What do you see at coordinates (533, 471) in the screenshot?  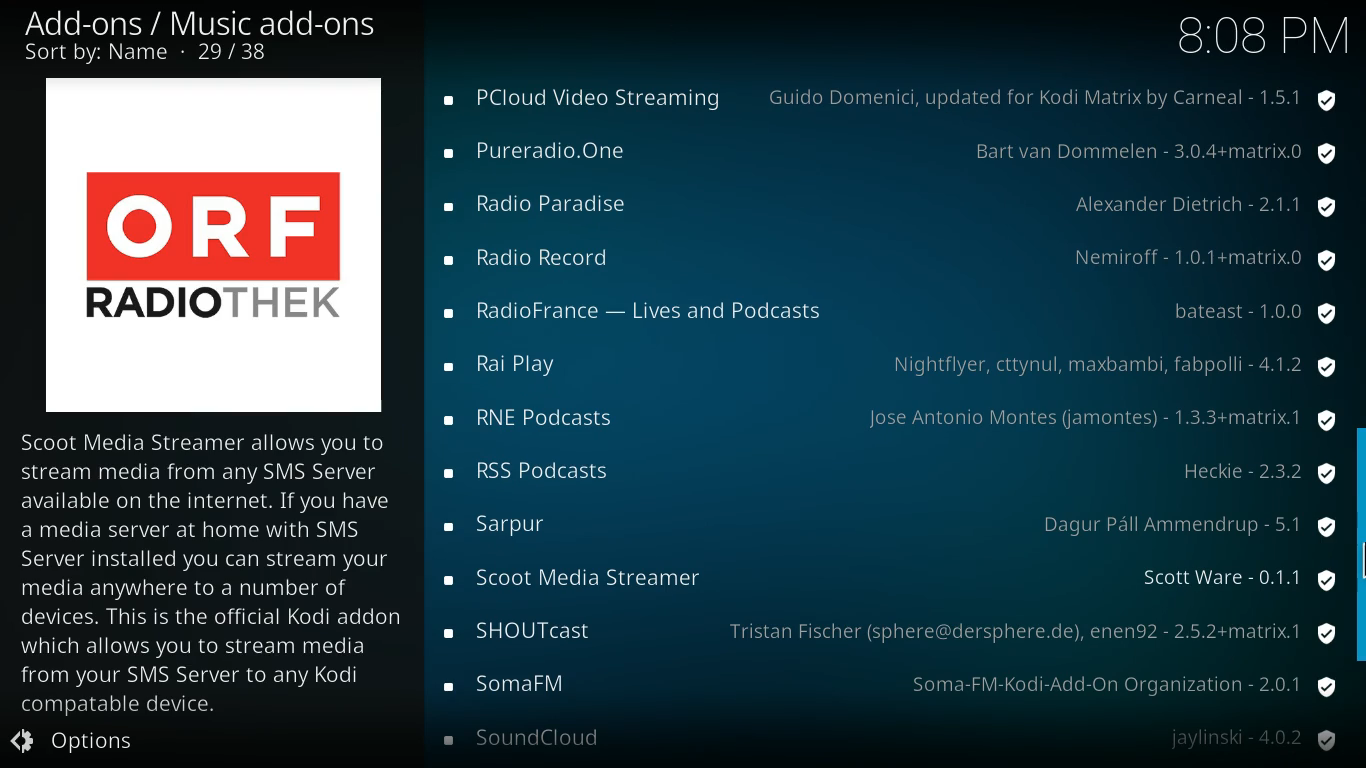 I see `add-on` at bounding box center [533, 471].